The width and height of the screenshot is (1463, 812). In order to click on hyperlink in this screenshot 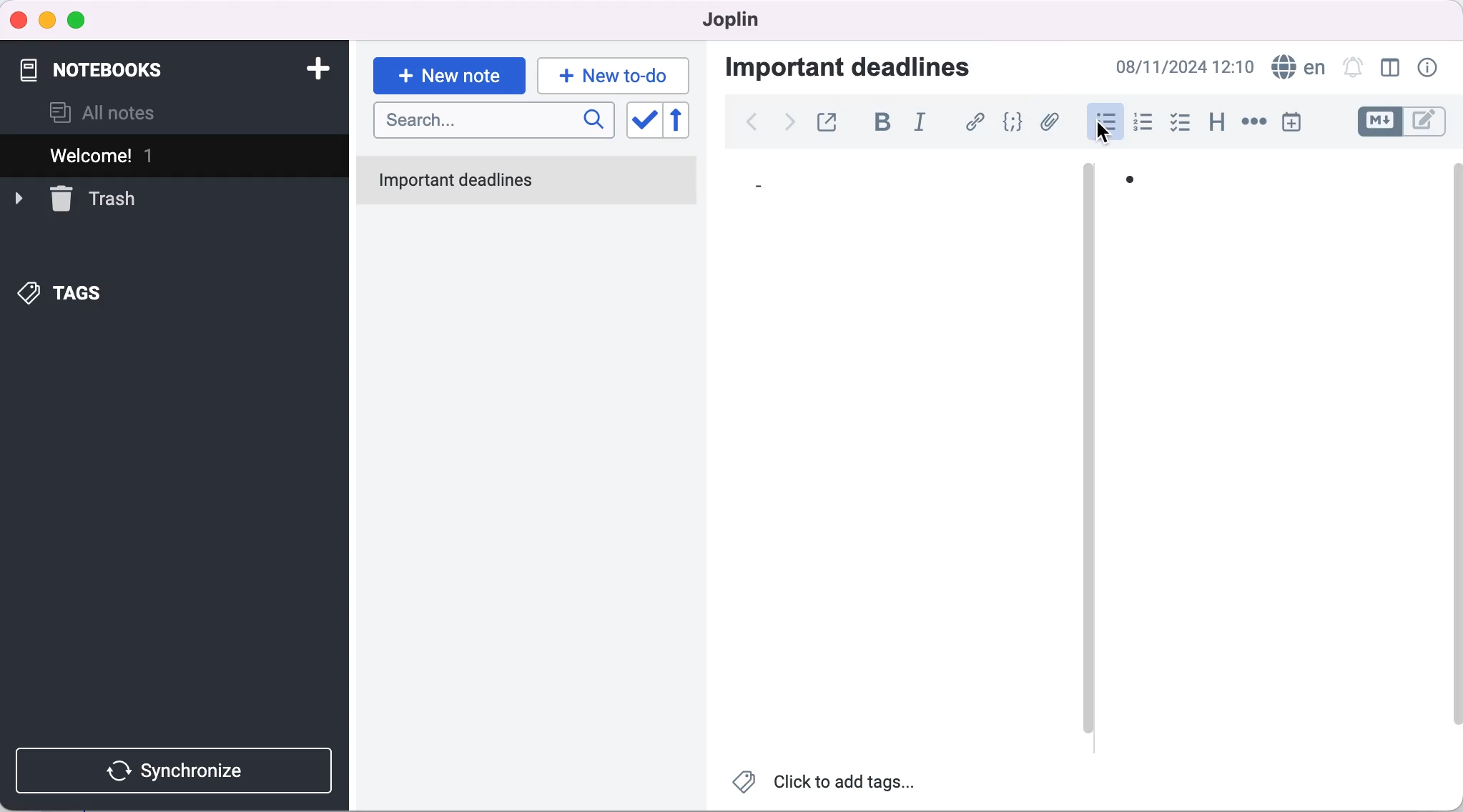, I will do `click(970, 124)`.